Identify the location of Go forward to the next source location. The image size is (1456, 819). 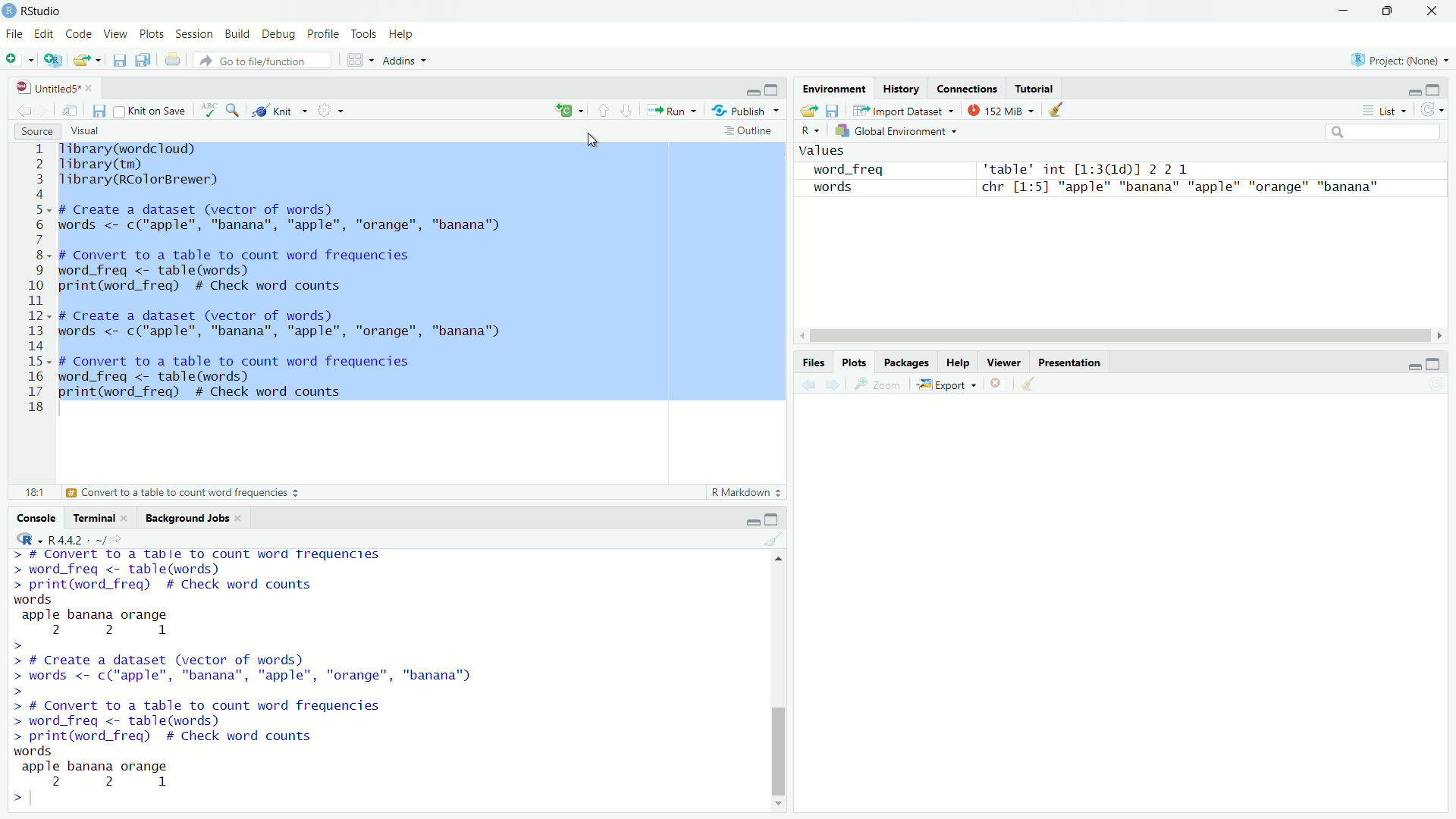
(45, 111).